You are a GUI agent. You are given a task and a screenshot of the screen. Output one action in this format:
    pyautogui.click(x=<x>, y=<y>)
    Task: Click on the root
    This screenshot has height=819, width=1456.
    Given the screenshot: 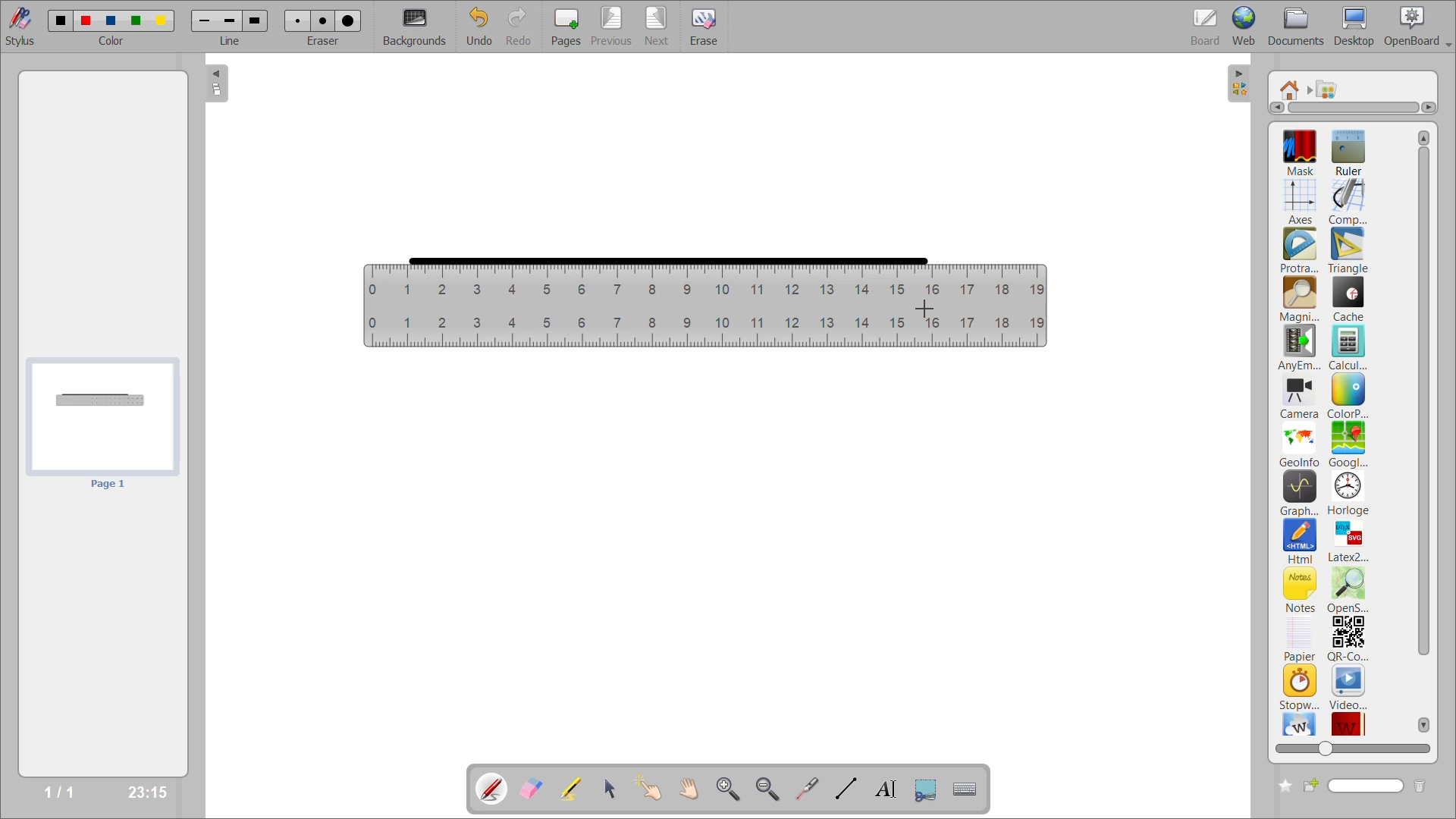 What is the action you would take?
    pyautogui.click(x=1291, y=89)
    